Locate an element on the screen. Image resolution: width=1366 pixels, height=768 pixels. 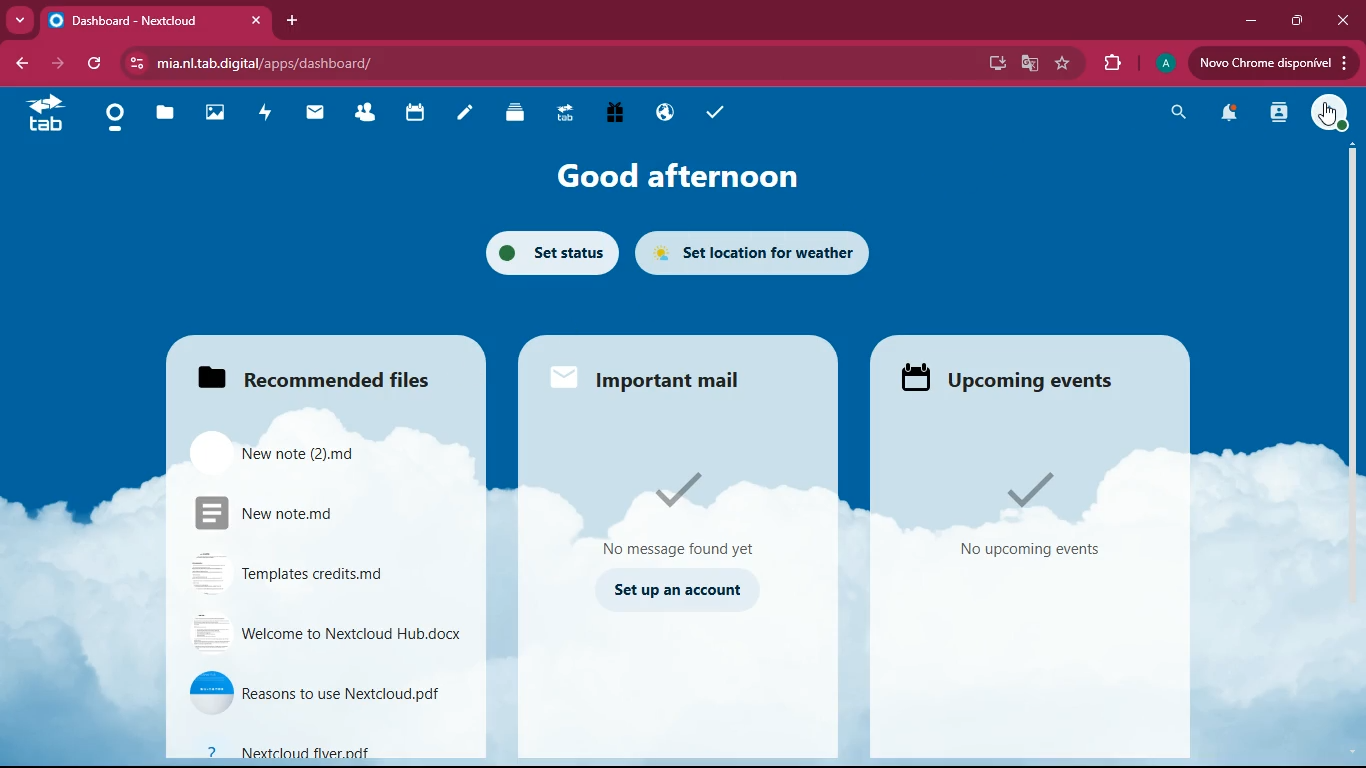
tab is located at coordinates (154, 21).